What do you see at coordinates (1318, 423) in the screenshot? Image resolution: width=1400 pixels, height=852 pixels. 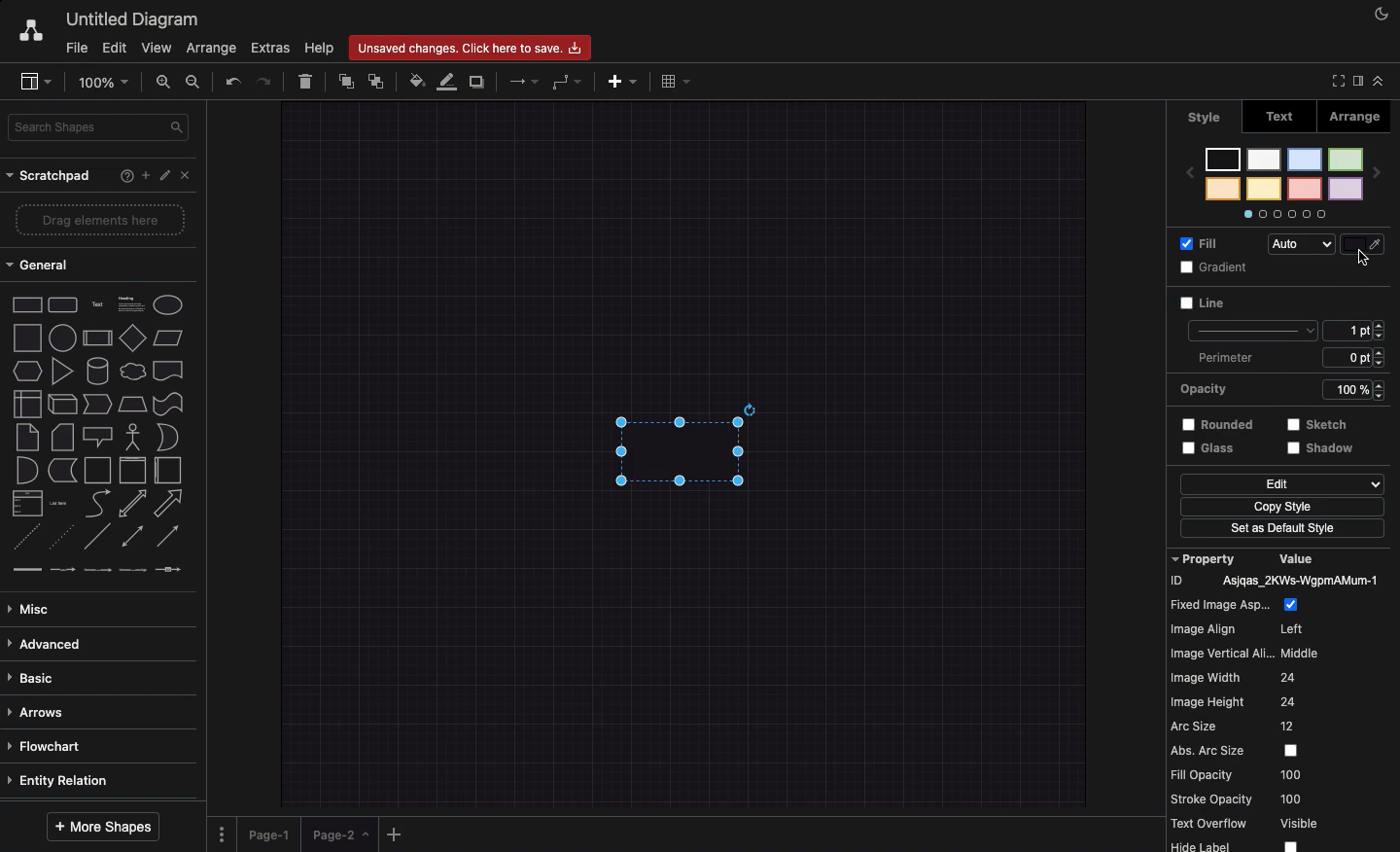 I see `sketch` at bounding box center [1318, 423].